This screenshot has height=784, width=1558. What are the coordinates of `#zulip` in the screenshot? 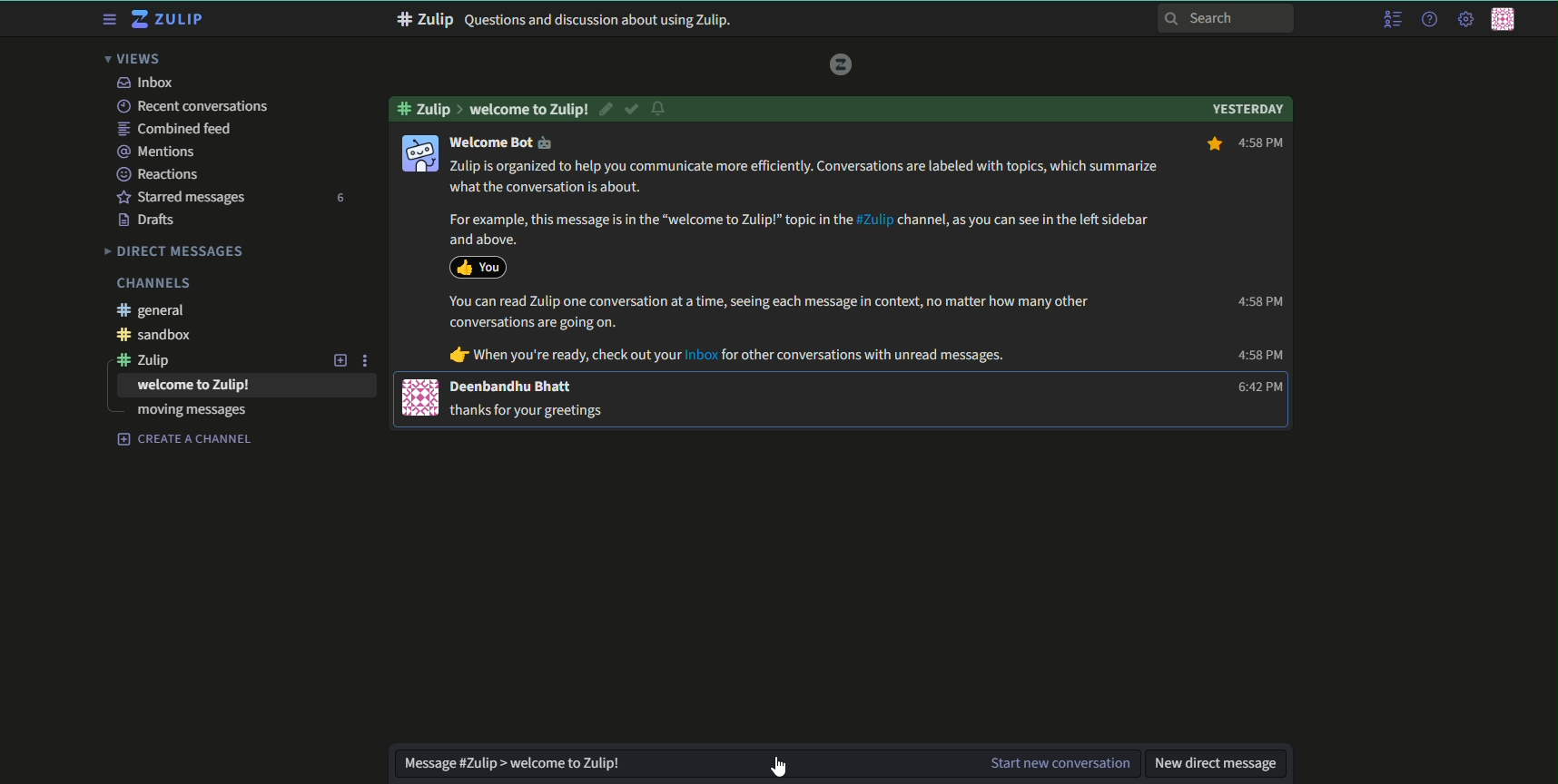 It's located at (428, 107).